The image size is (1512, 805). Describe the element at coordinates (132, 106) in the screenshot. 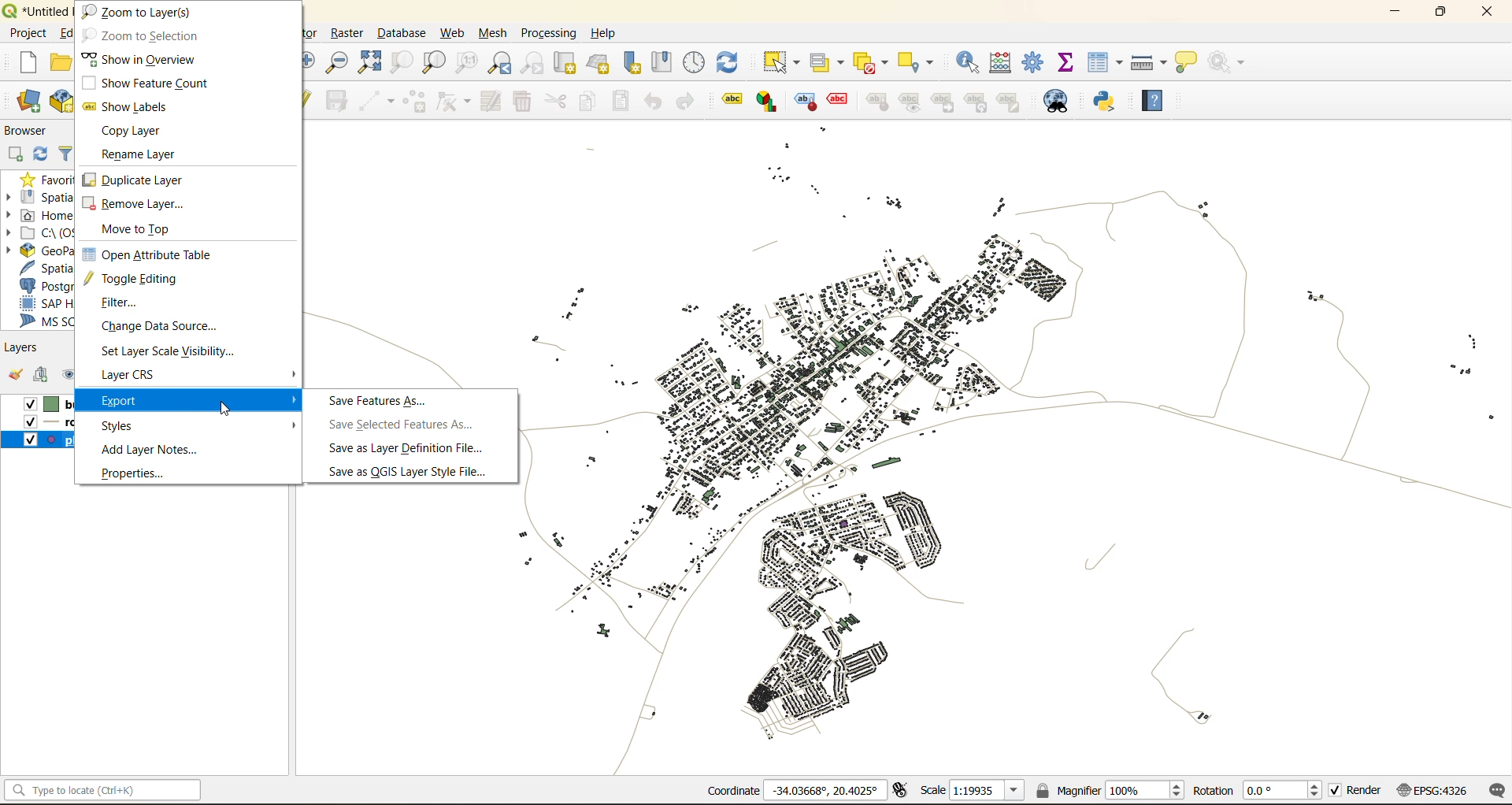

I see `show labels` at that location.